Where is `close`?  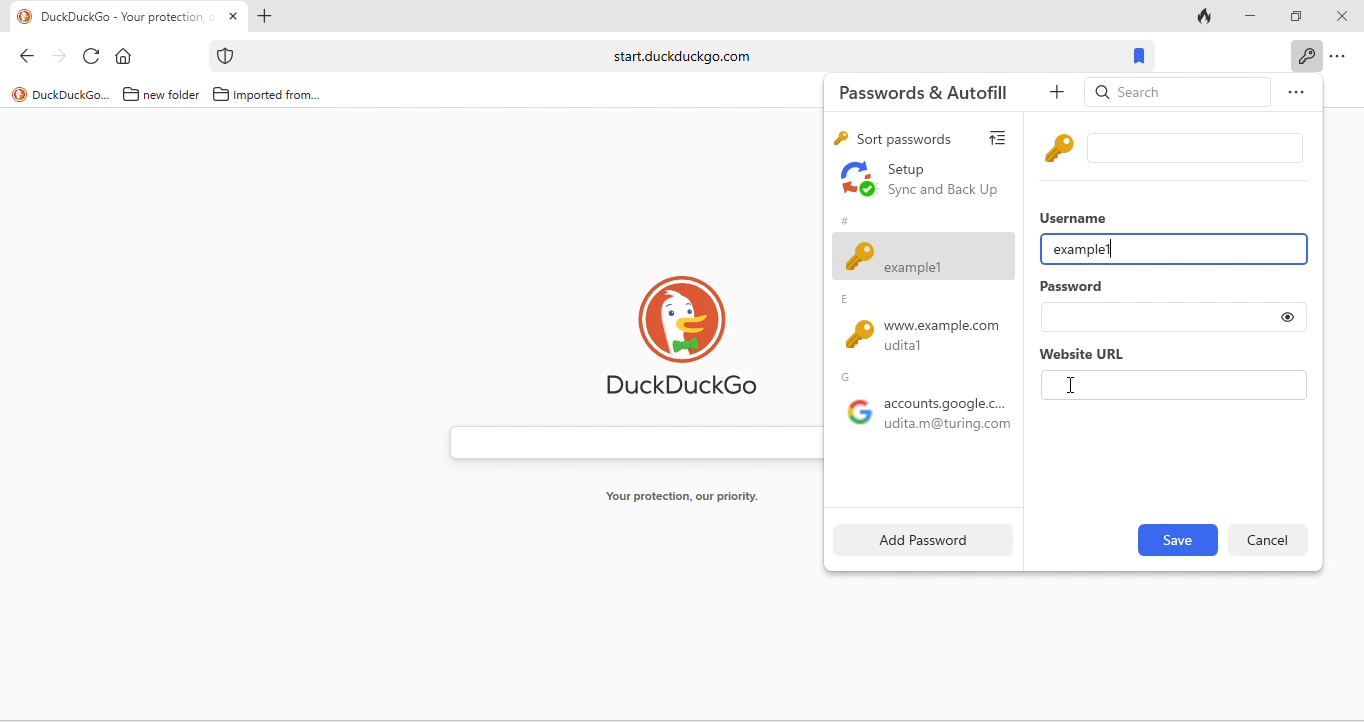
close is located at coordinates (1340, 17).